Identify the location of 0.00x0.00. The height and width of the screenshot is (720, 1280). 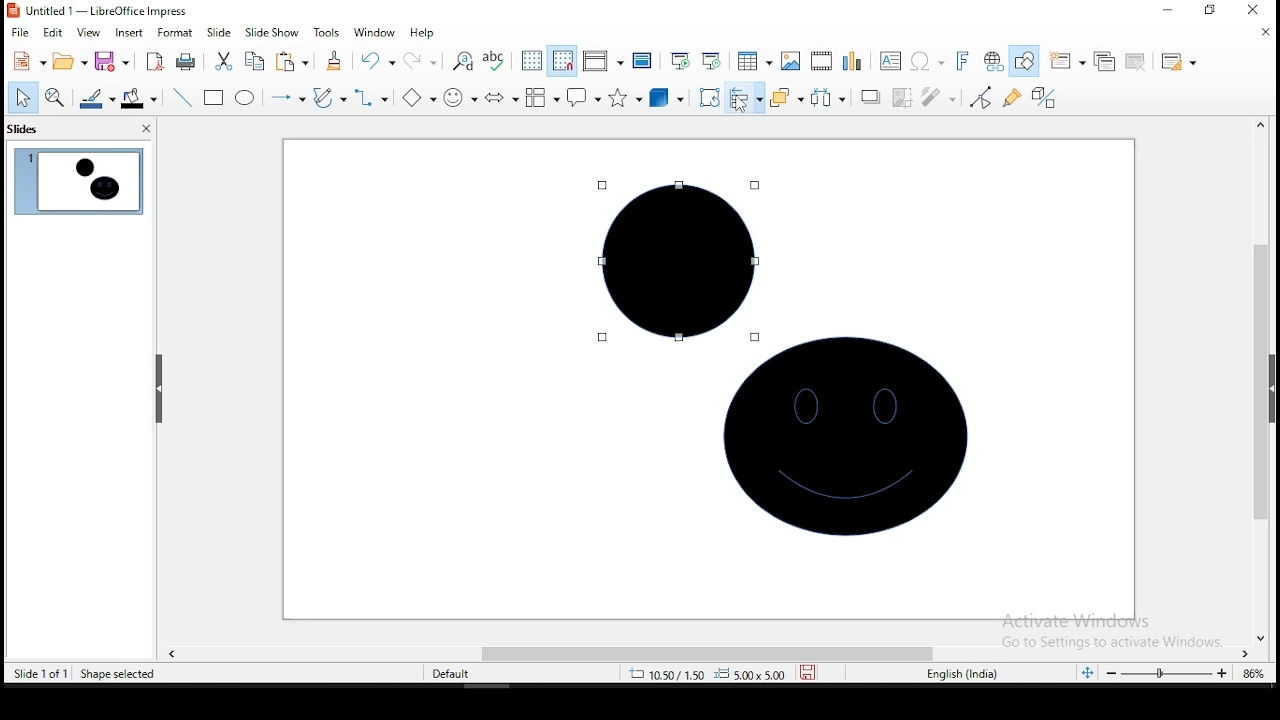
(751, 674).